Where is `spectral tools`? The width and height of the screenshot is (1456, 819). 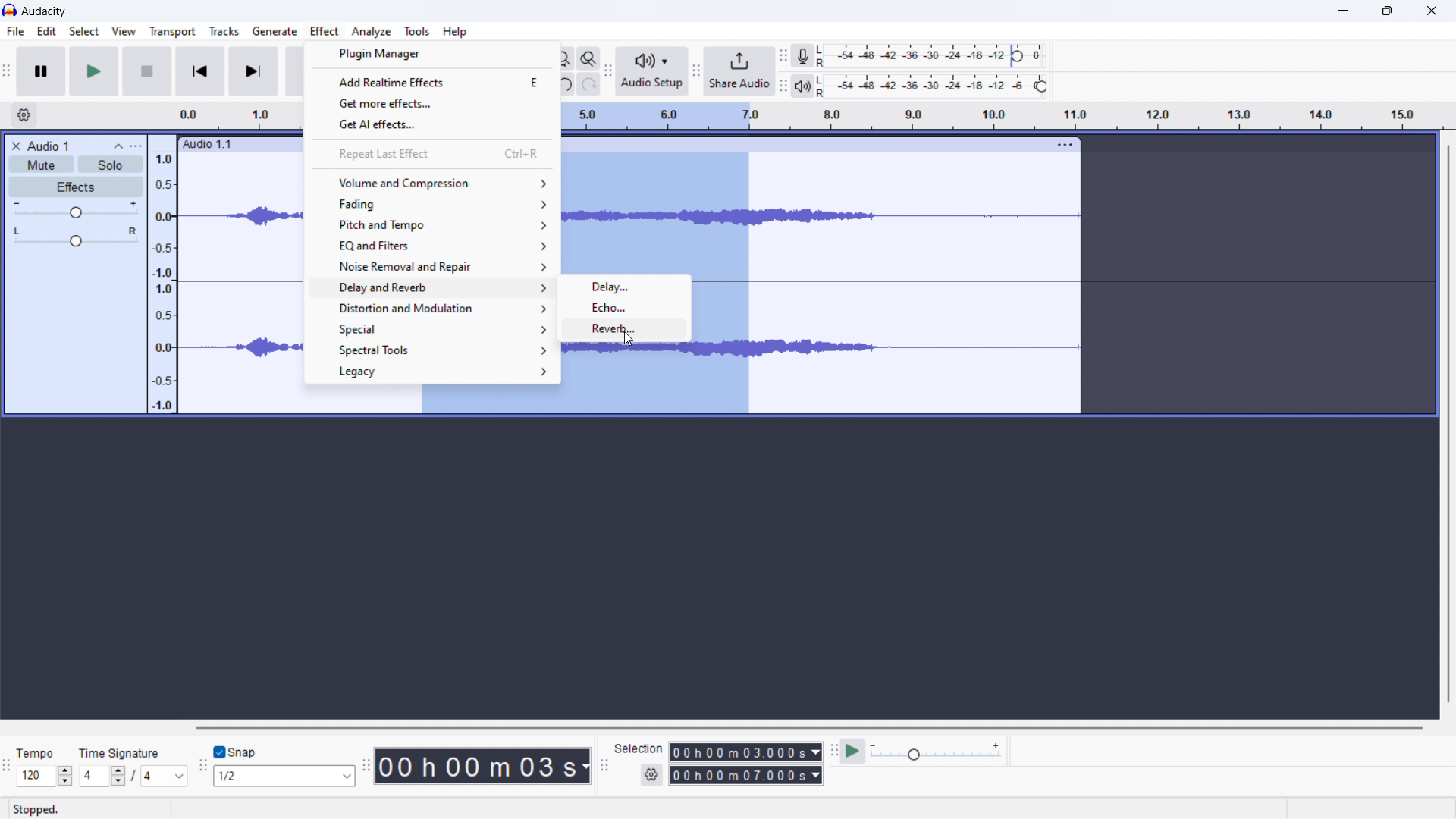
spectral tools is located at coordinates (432, 349).